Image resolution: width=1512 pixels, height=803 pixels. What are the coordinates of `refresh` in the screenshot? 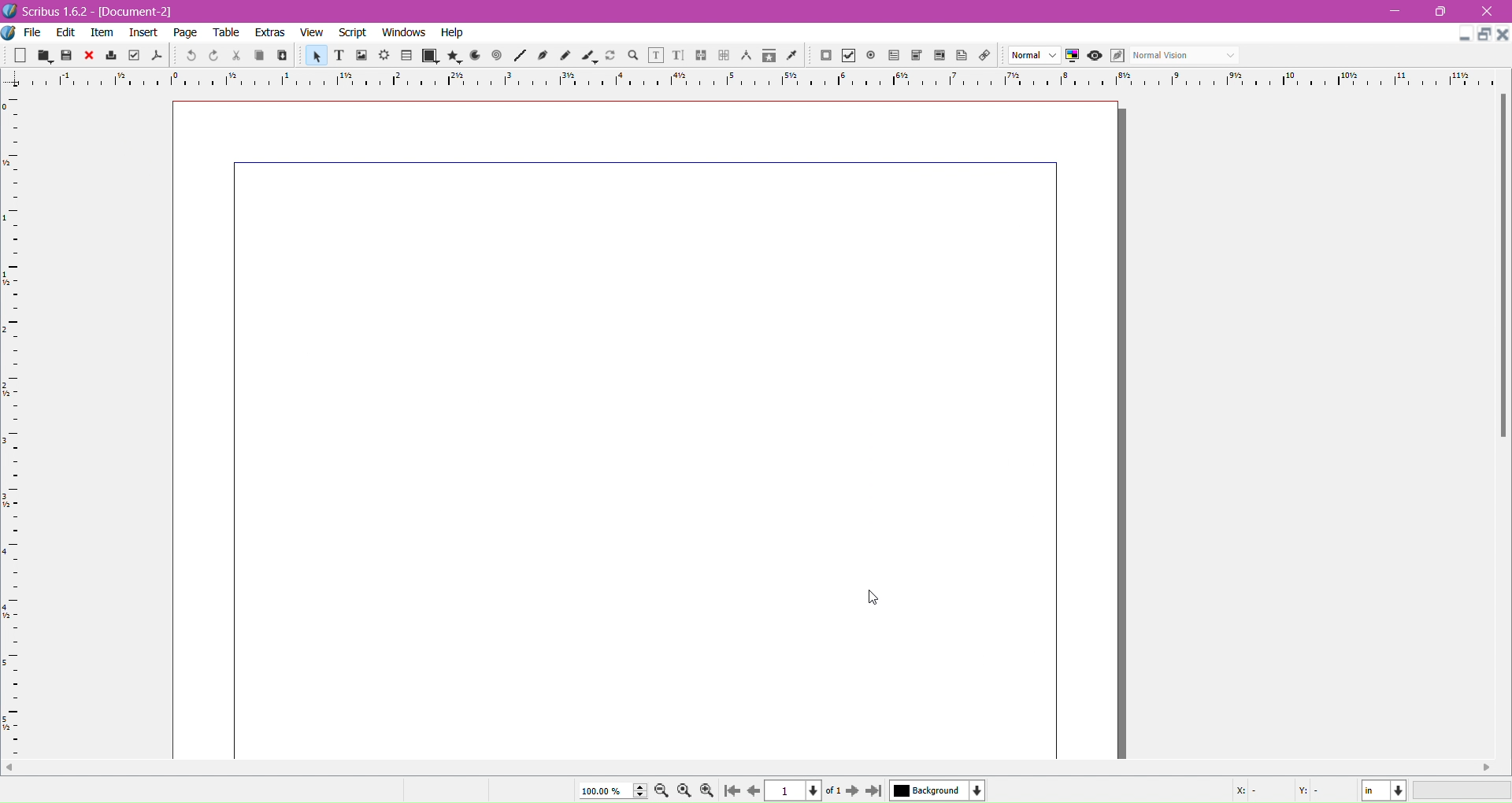 It's located at (610, 57).